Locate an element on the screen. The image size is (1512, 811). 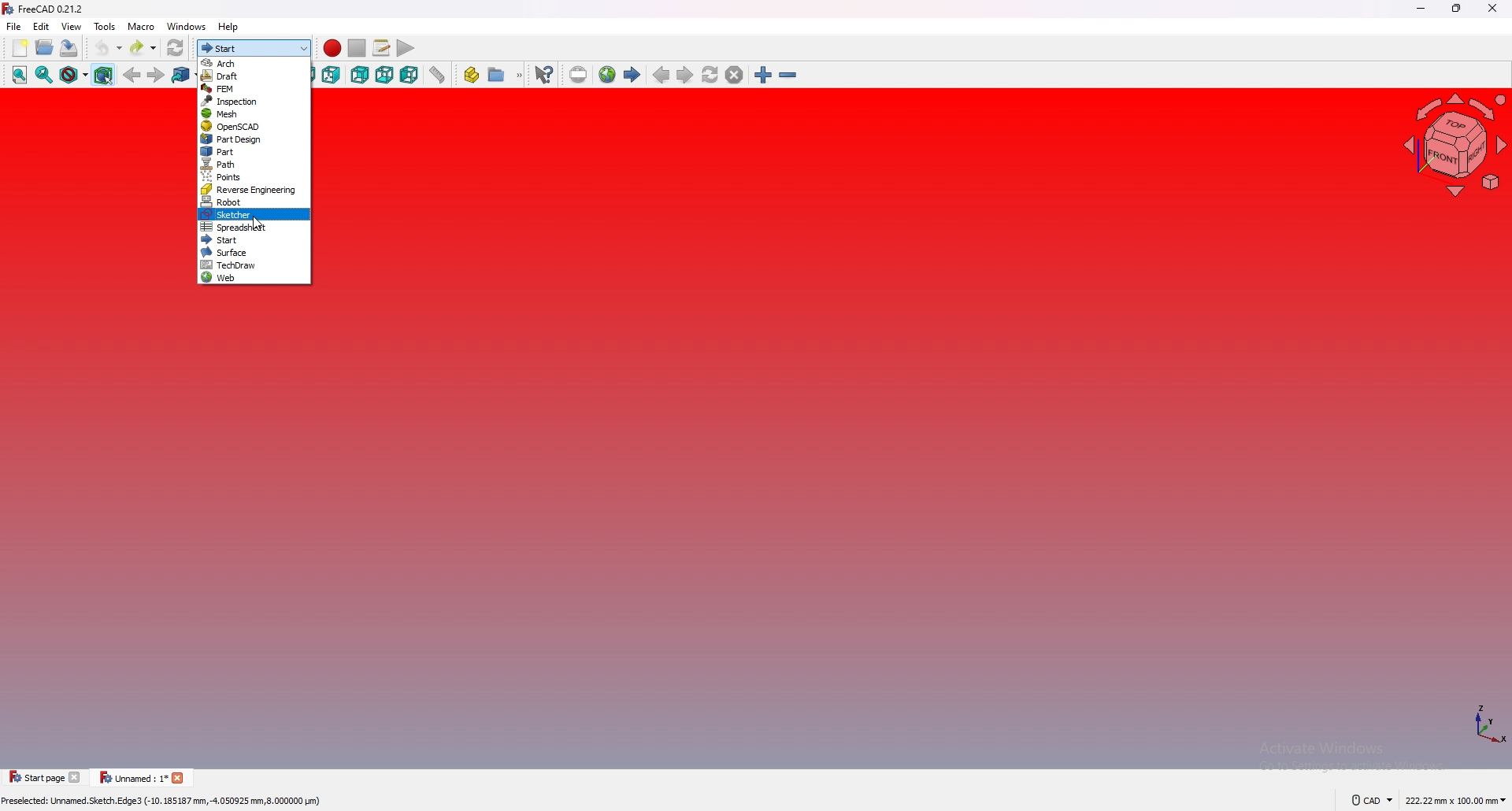
goto linked object is located at coordinates (181, 75).